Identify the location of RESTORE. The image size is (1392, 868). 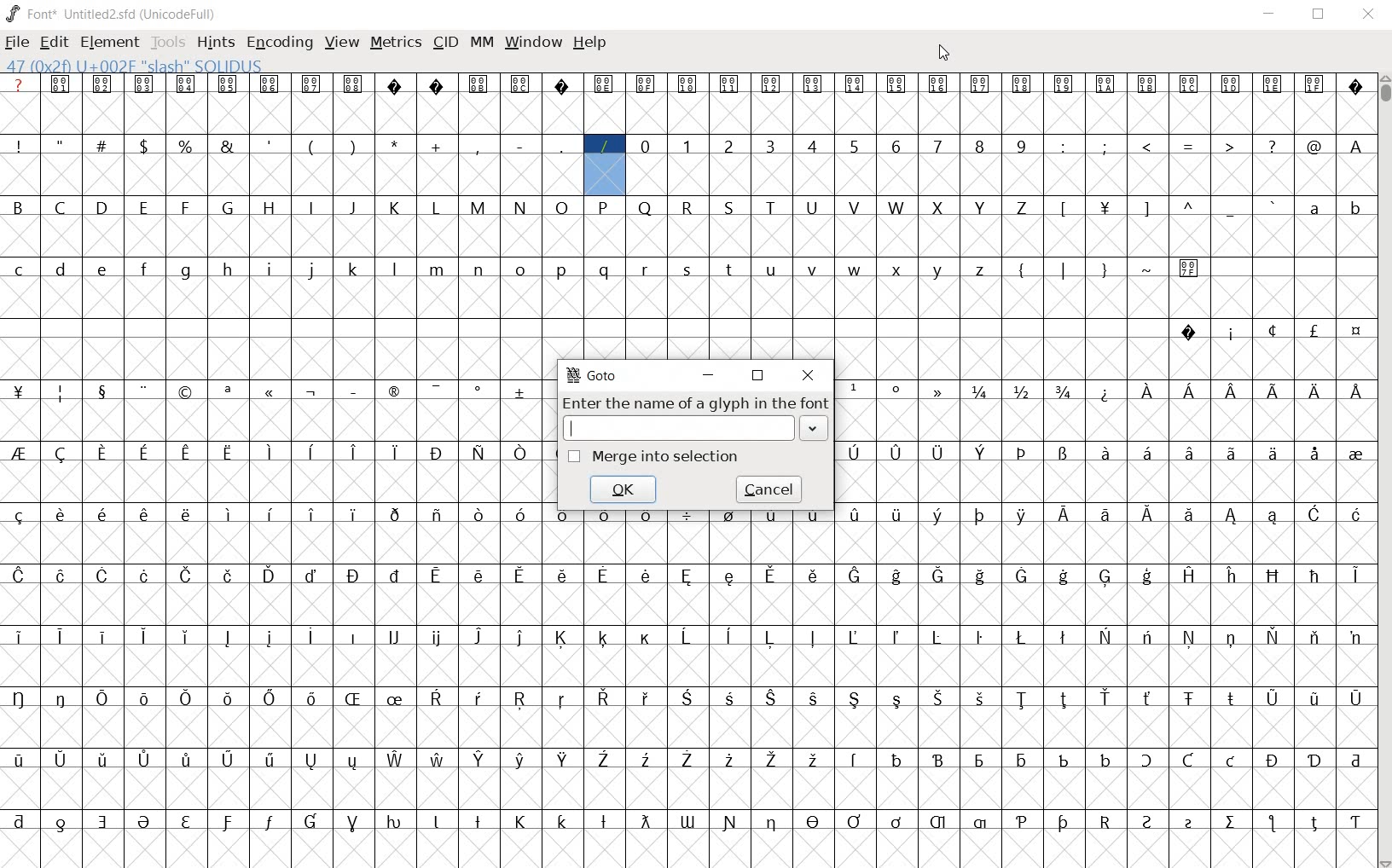
(1322, 16).